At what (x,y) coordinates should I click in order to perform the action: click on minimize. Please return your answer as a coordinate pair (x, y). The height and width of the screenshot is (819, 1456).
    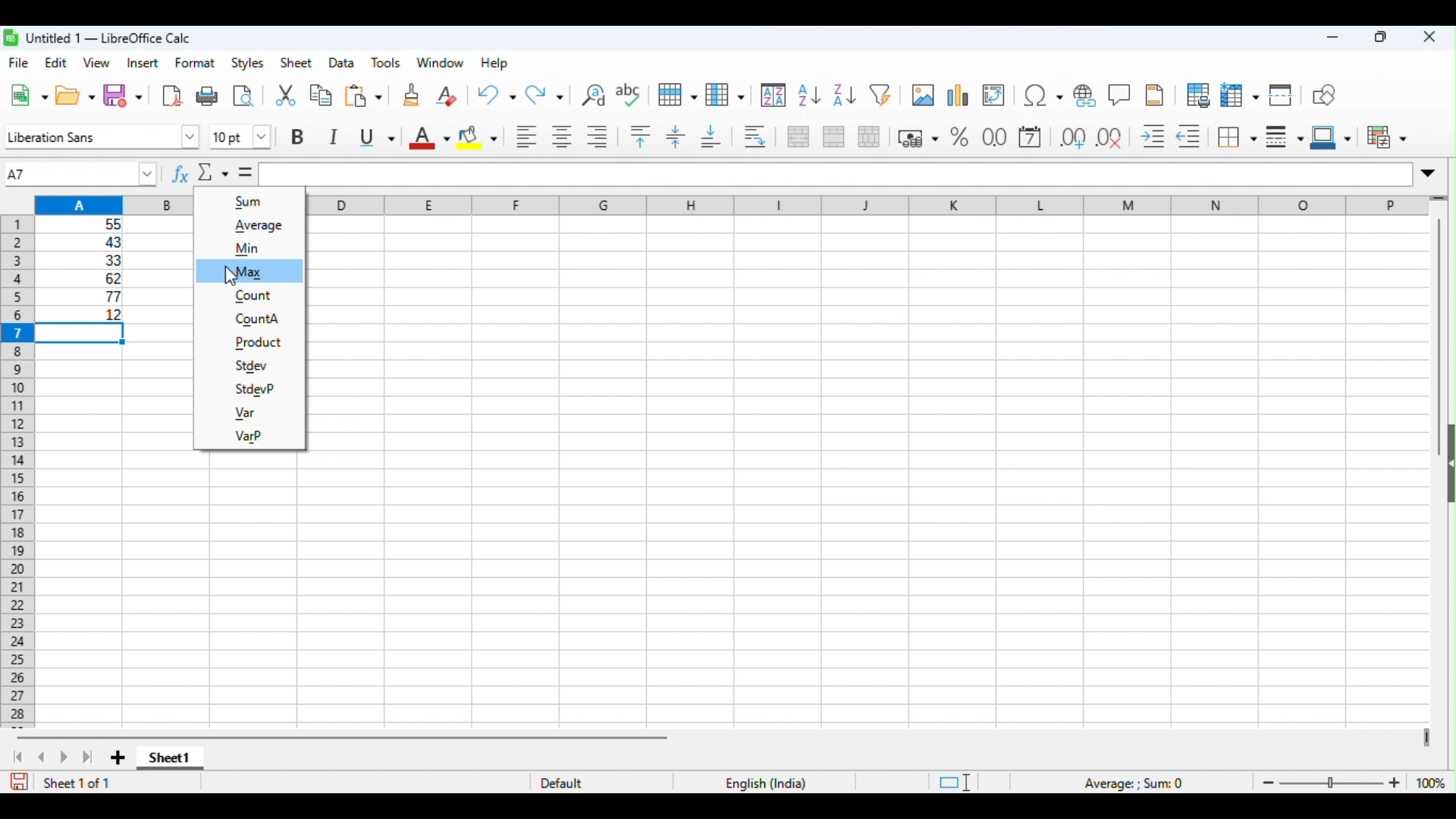
    Looking at the image, I should click on (1333, 38).